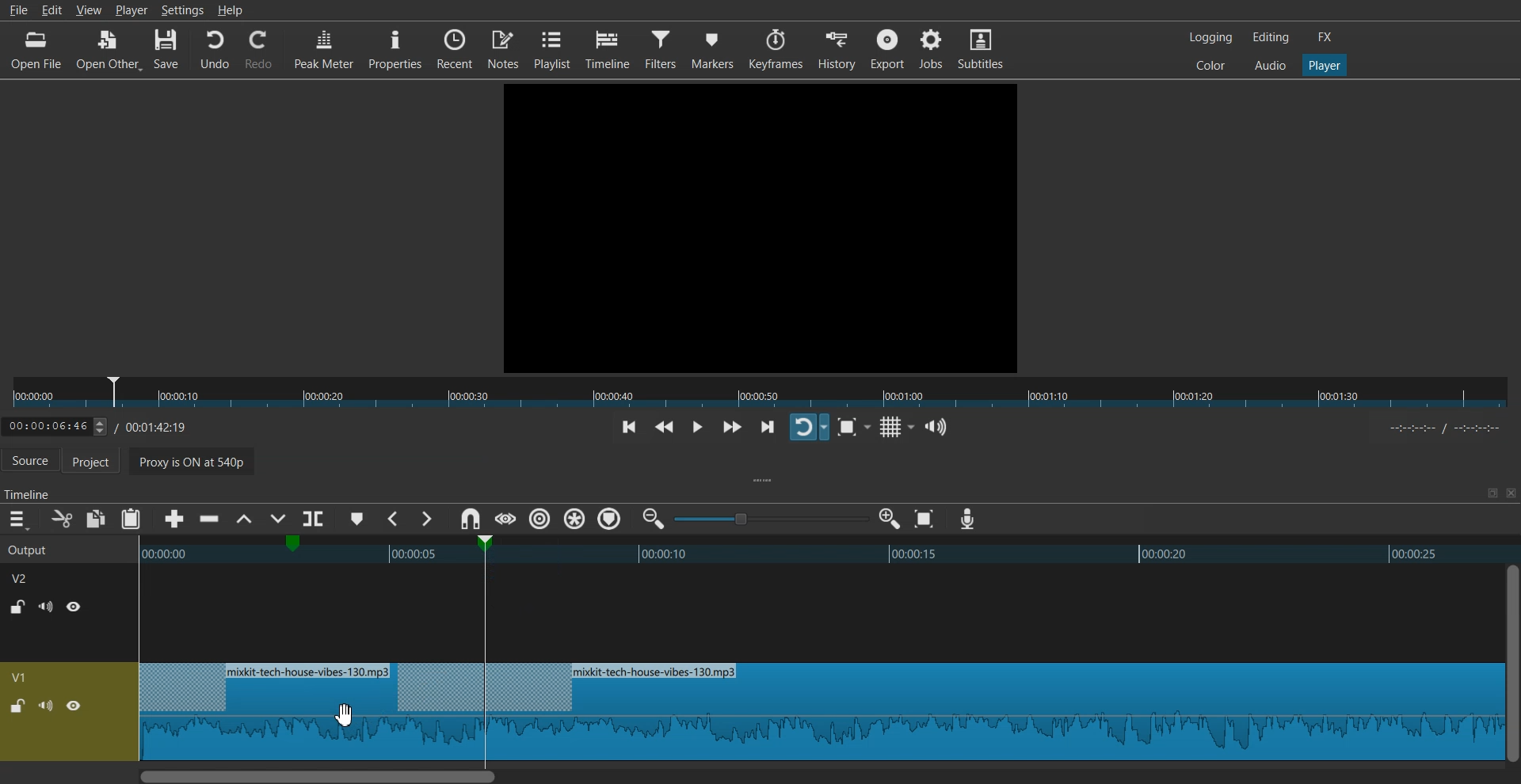  I want to click on Recent, so click(455, 48).